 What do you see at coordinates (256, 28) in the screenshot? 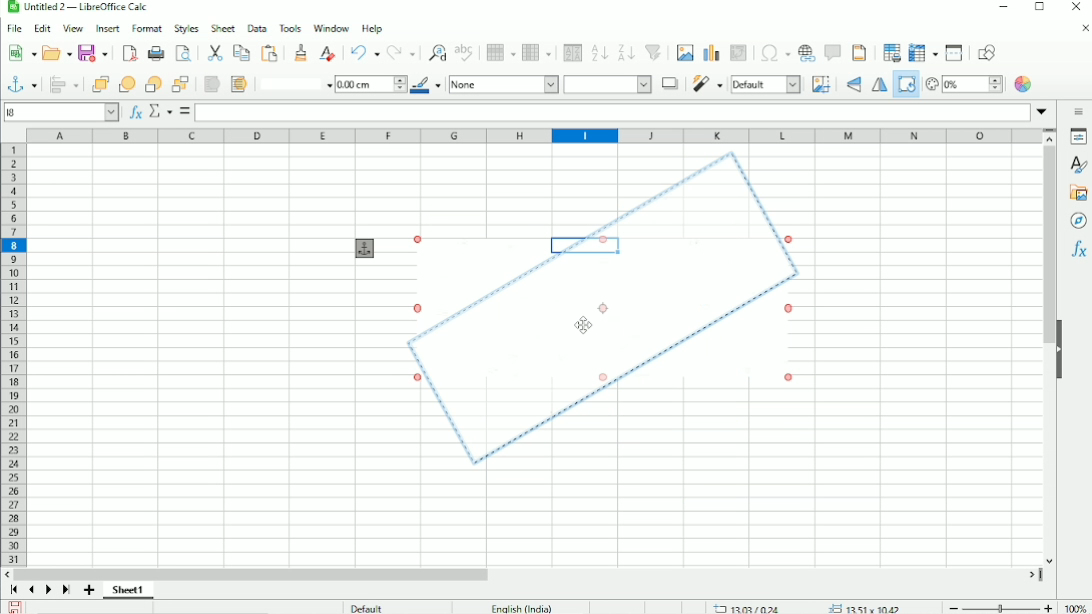
I see `Data` at bounding box center [256, 28].